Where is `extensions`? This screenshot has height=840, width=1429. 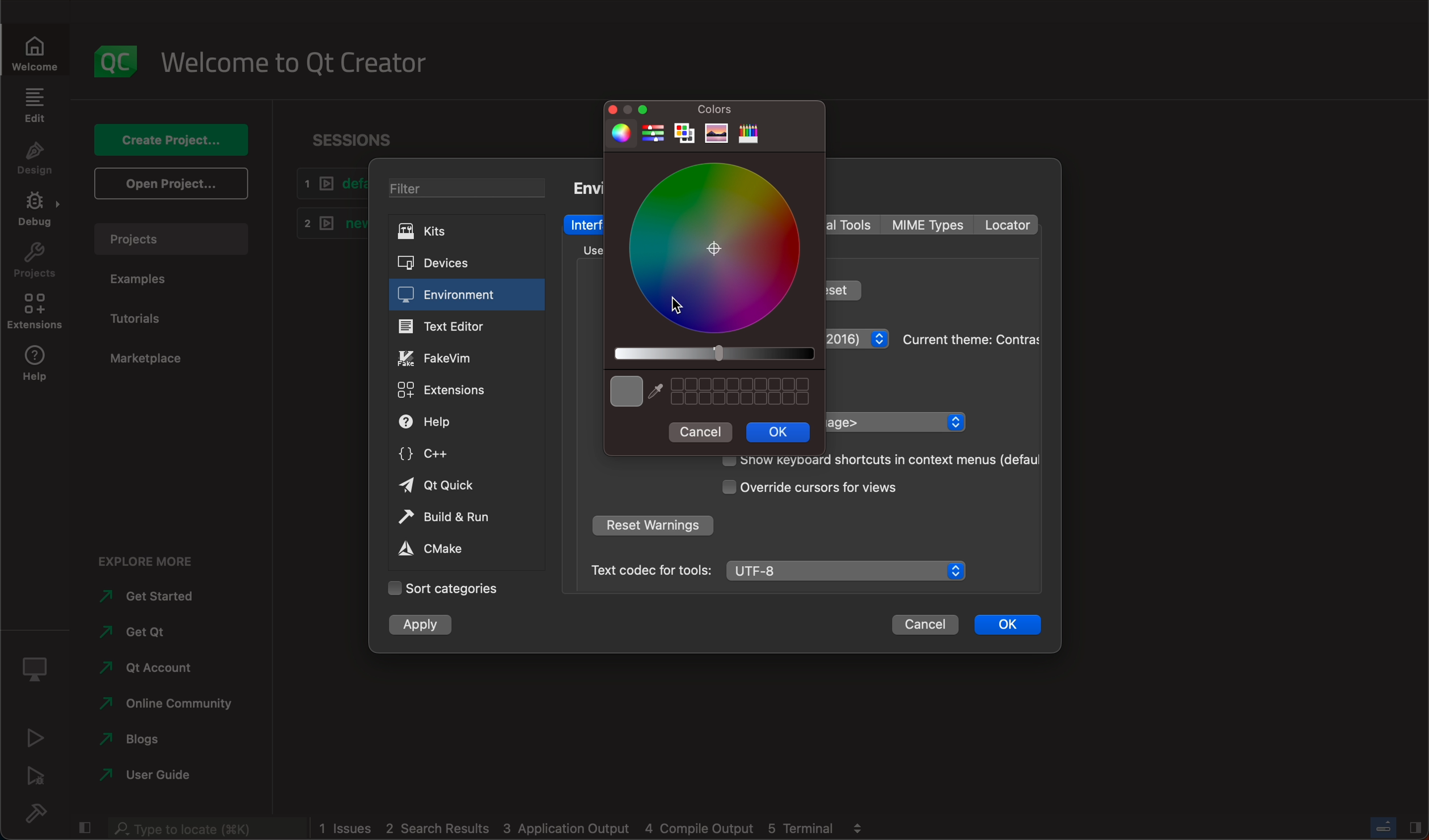
extensions is located at coordinates (38, 315).